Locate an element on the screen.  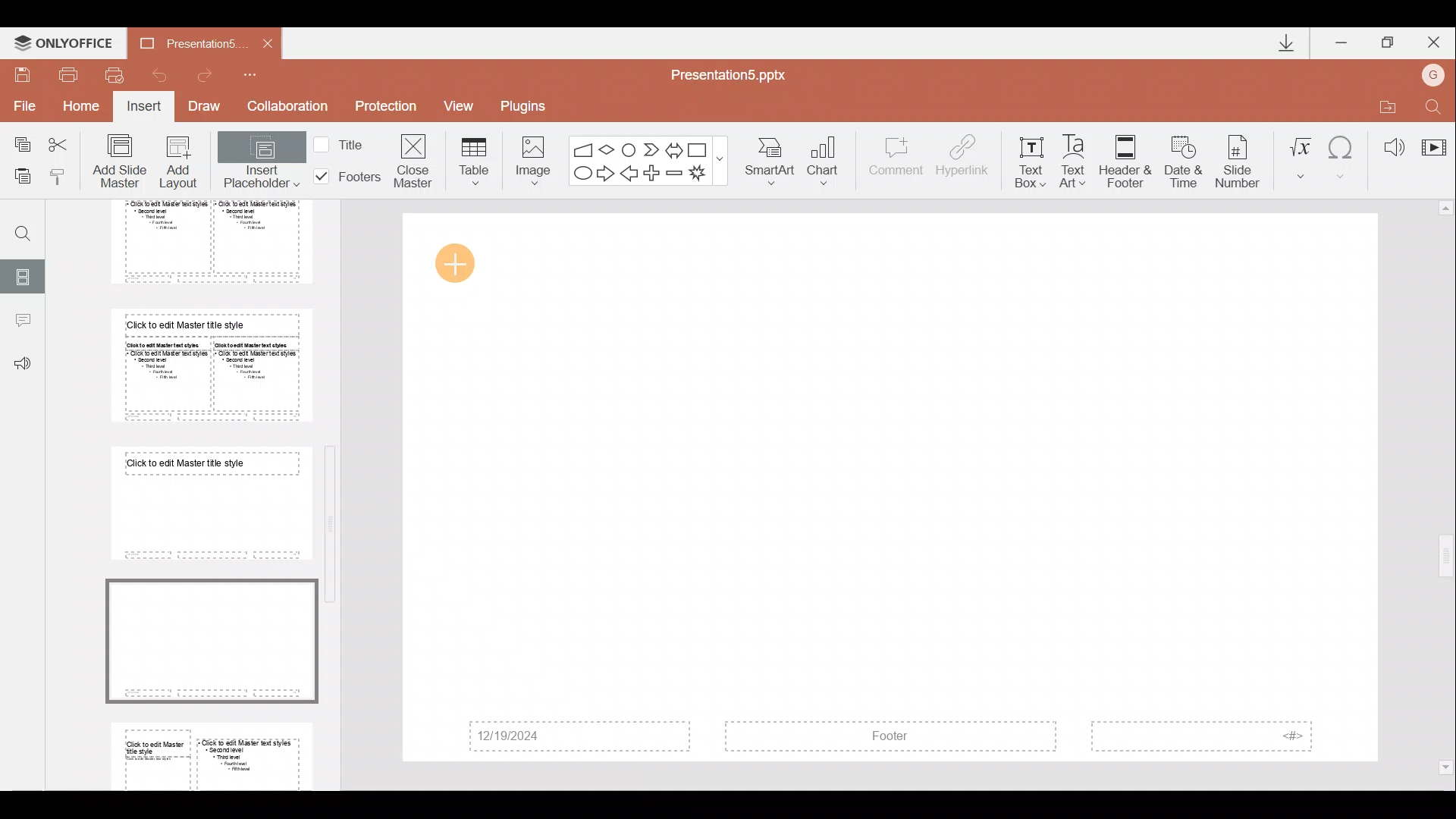
Document name is located at coordinates (737, 74).